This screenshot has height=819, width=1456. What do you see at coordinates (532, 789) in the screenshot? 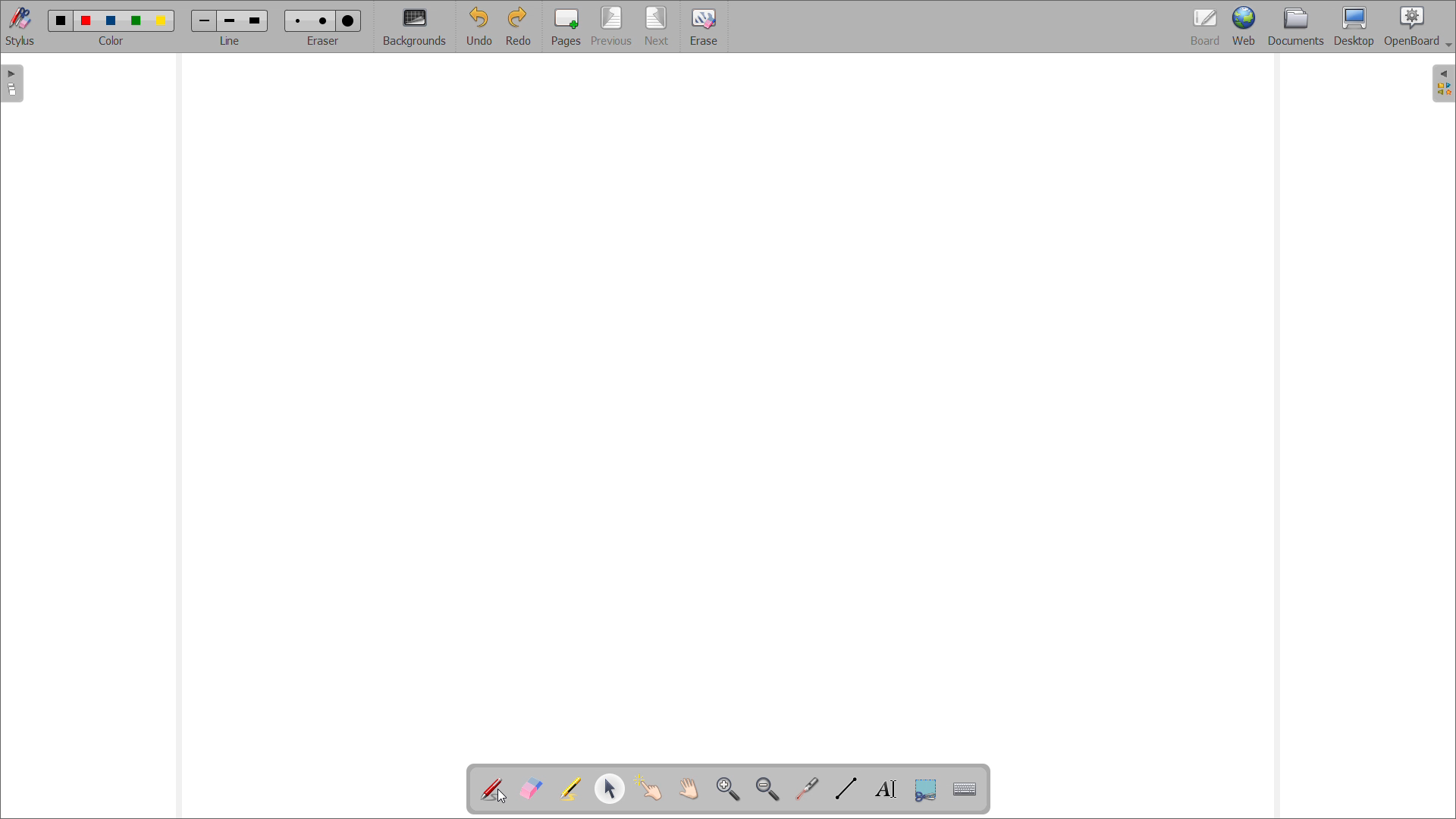
I see `erase annotations` at bounding box center [532, 789].